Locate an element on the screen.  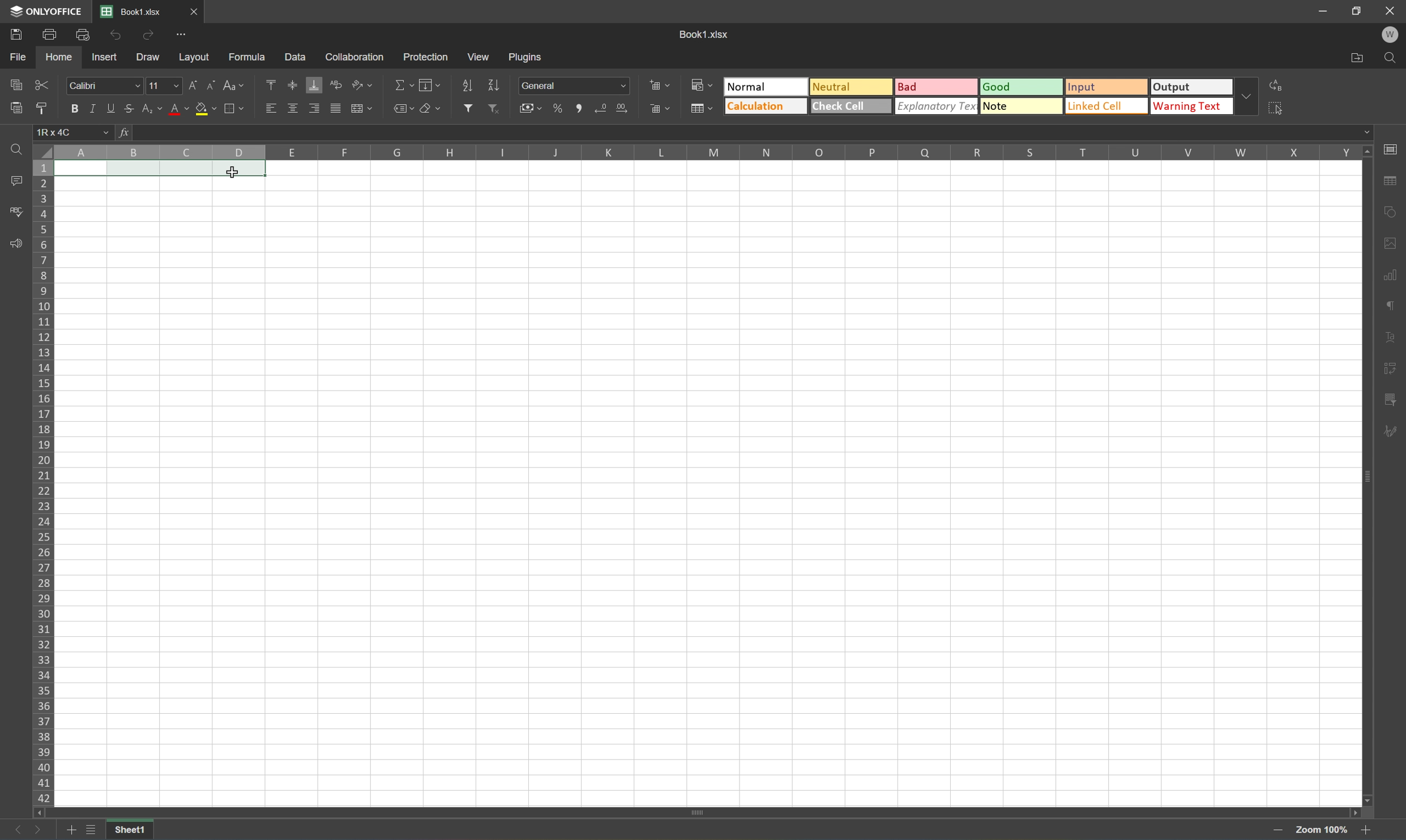
Italic is located at coordinates (97, 109).